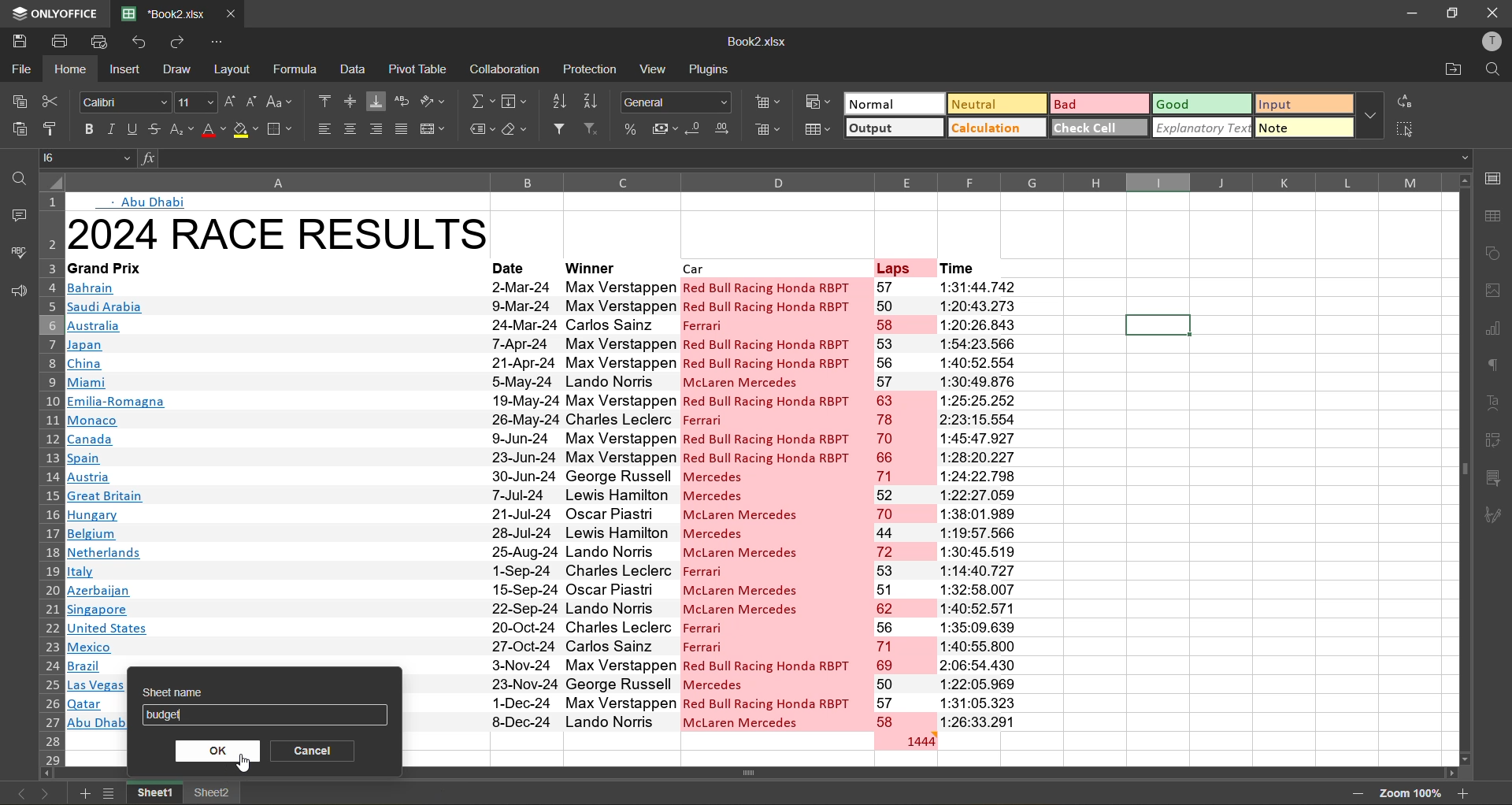 The height and width of the screenshot is (805, 1512). I want to click on align right, so click(375, 130).